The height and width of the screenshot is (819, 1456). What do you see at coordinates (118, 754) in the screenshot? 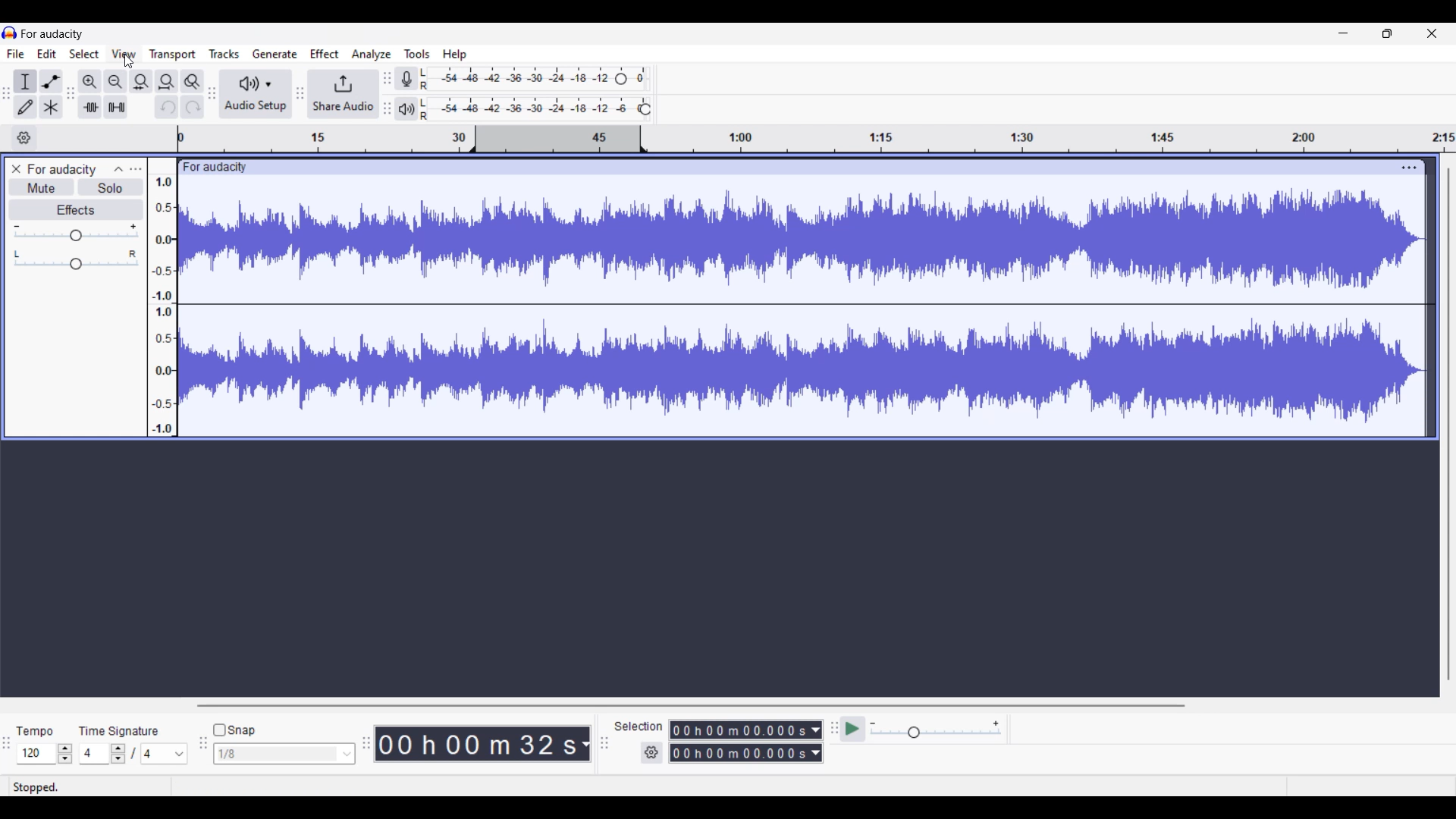
I see `Increase/Decrease number` at bounding box center [118, 754].